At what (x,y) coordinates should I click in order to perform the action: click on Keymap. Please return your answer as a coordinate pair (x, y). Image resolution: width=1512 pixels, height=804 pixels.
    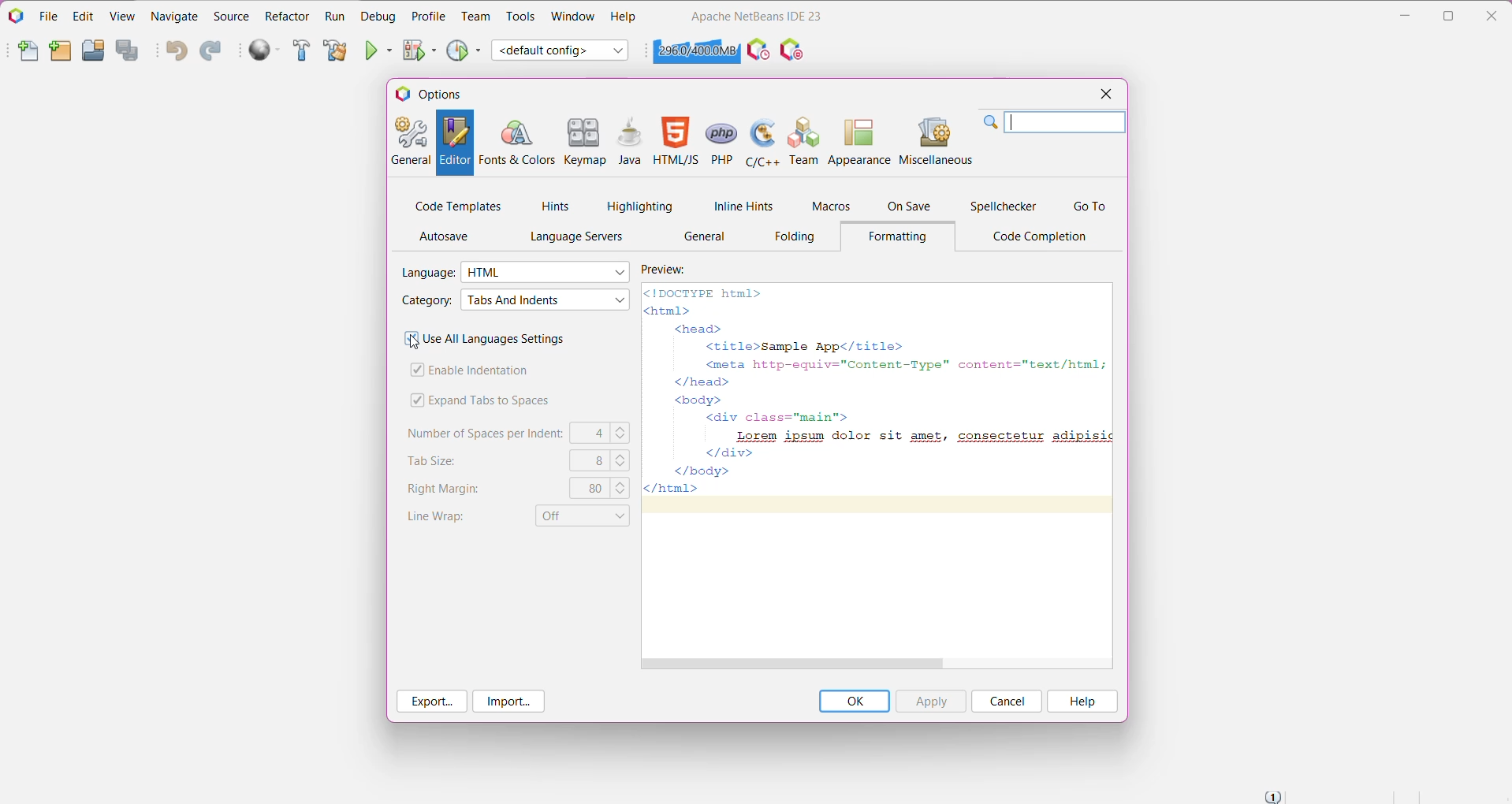
    Looking at the image, I should click on (586, 143).